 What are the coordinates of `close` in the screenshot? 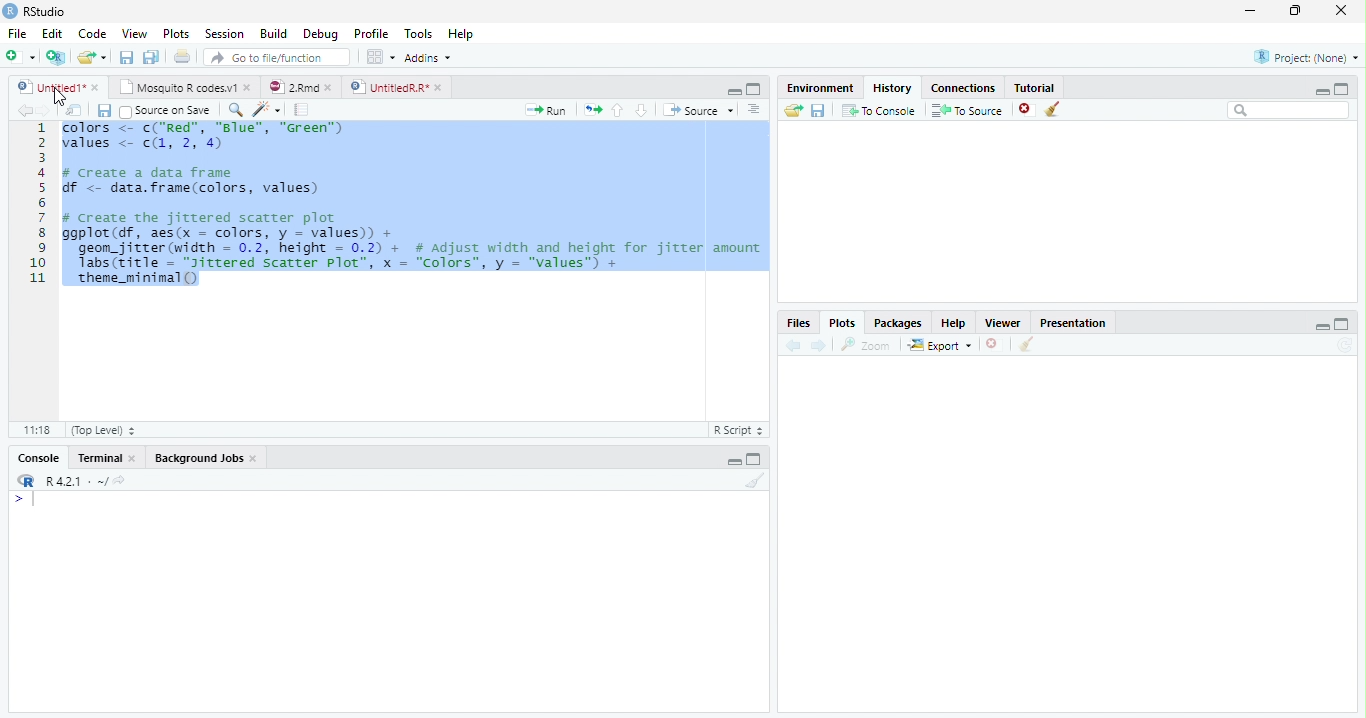 It's located at (1341, 10).